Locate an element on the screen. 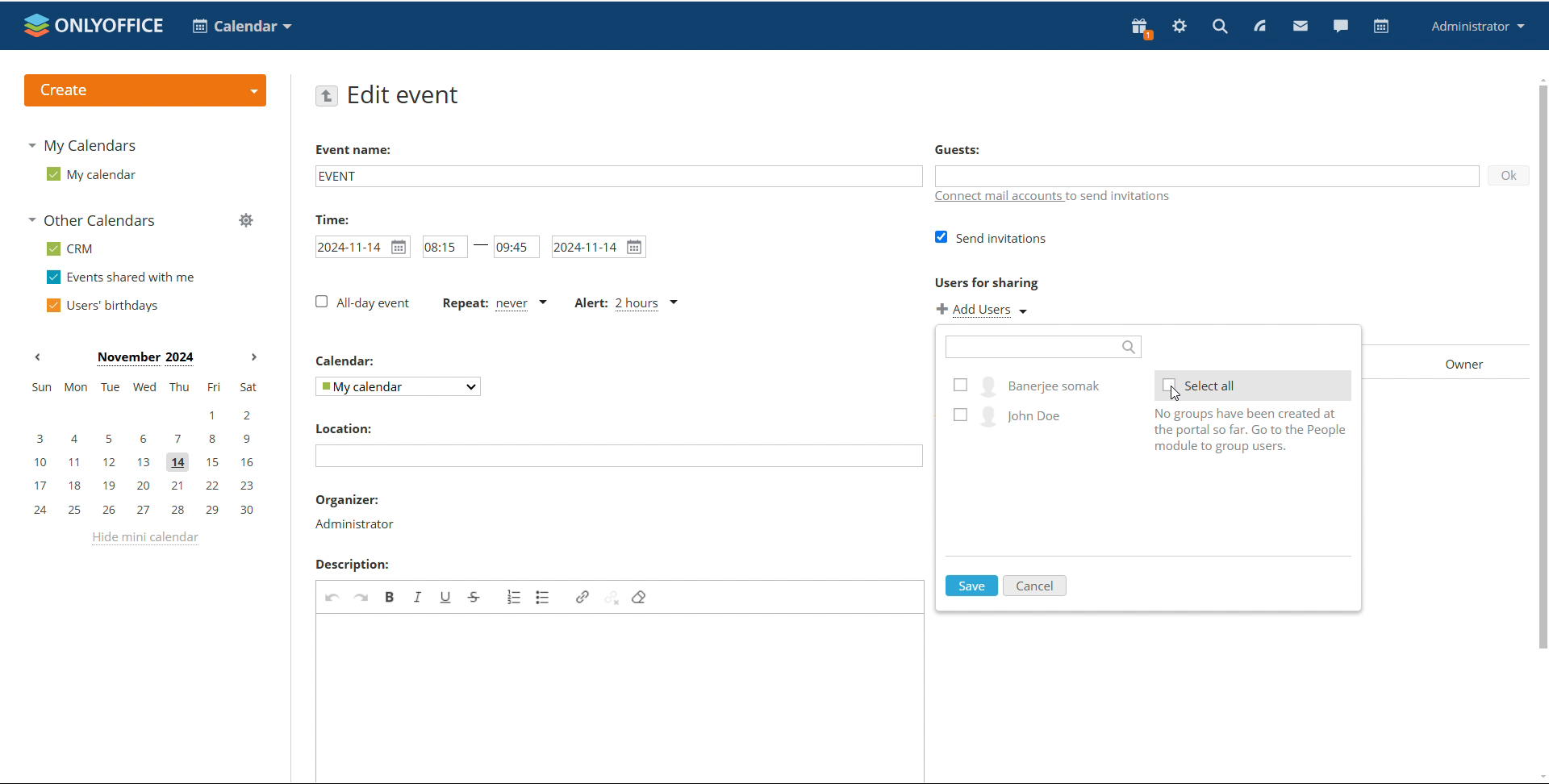 The image size is (1549, 784). 17, 18, 19, 20, 21, 22, 23 is located at coordinates (144, 486).